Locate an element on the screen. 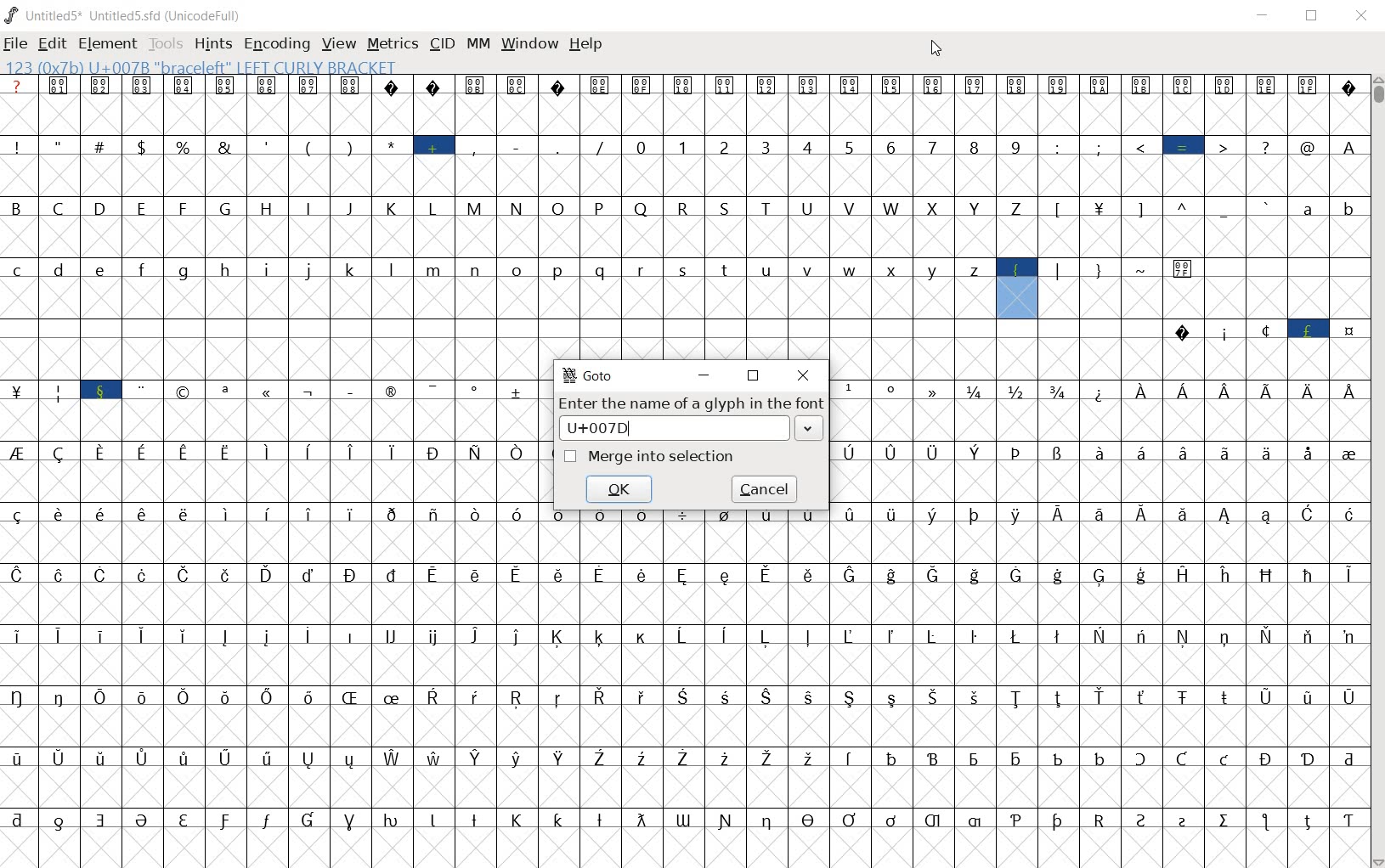 This screenshot has height=868, width=1385. HINTS is located at coordinates (212, 45).